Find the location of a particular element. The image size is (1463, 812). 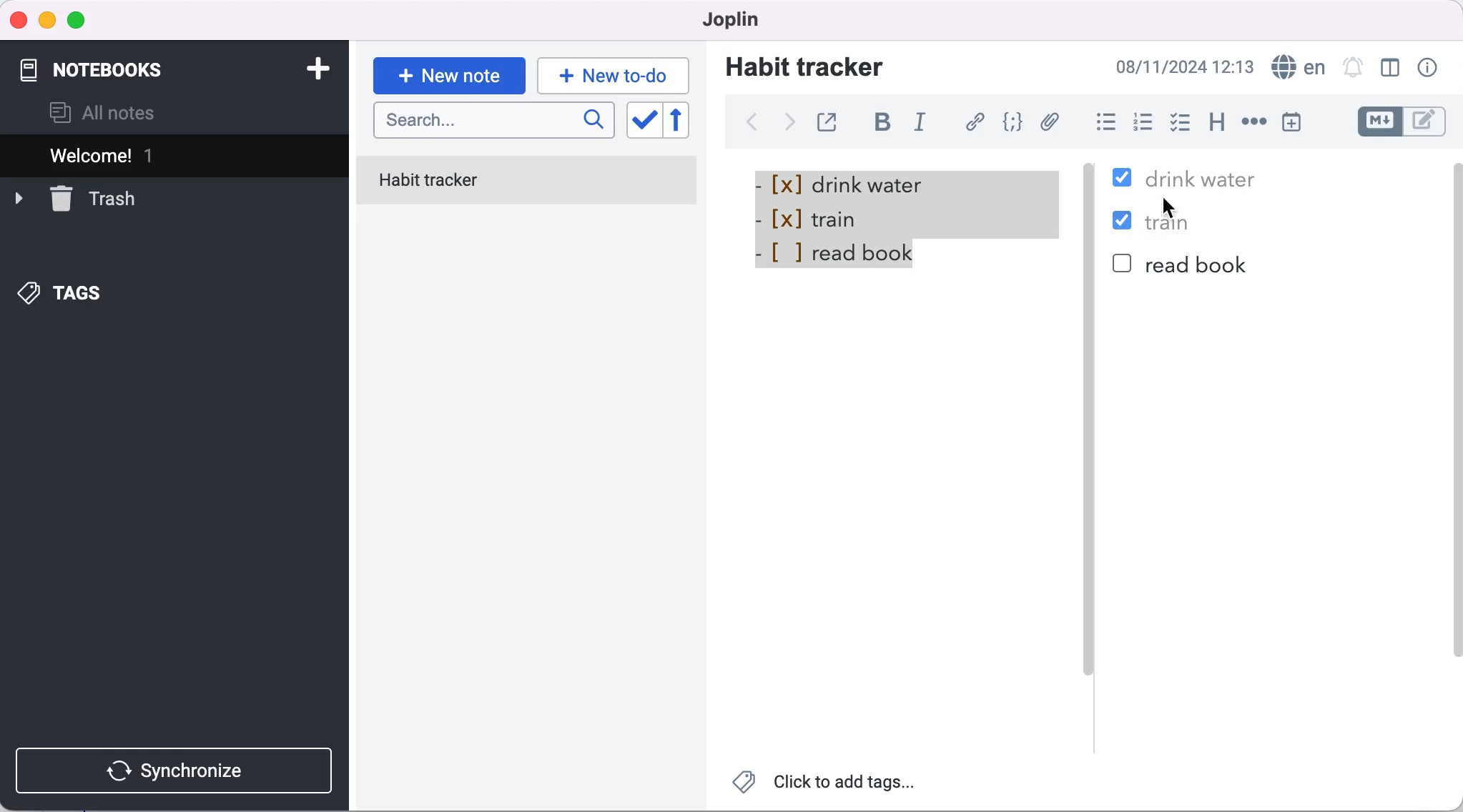

italic is located at coordinates (924, 124).